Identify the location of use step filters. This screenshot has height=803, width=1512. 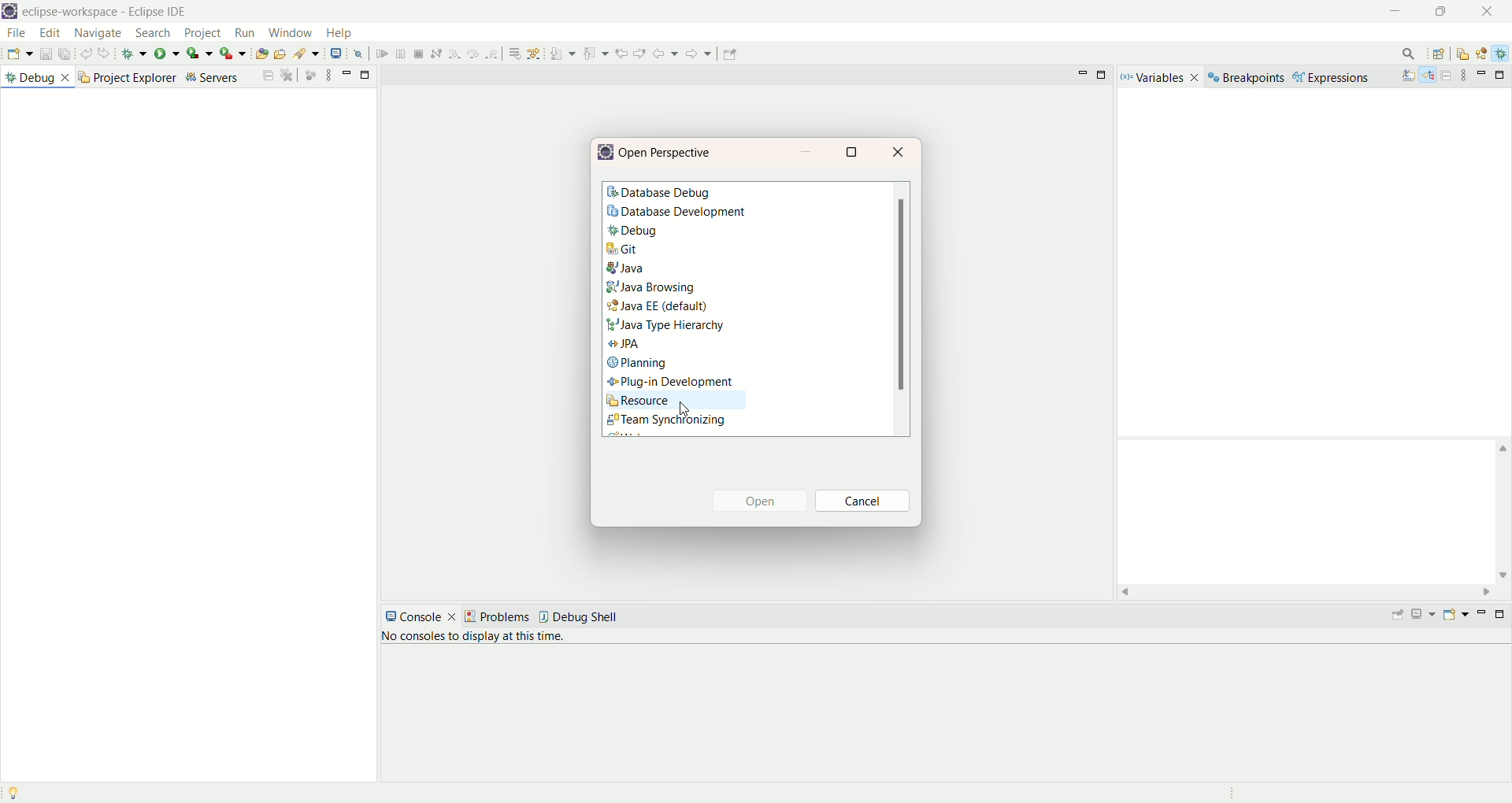
(648, 54).